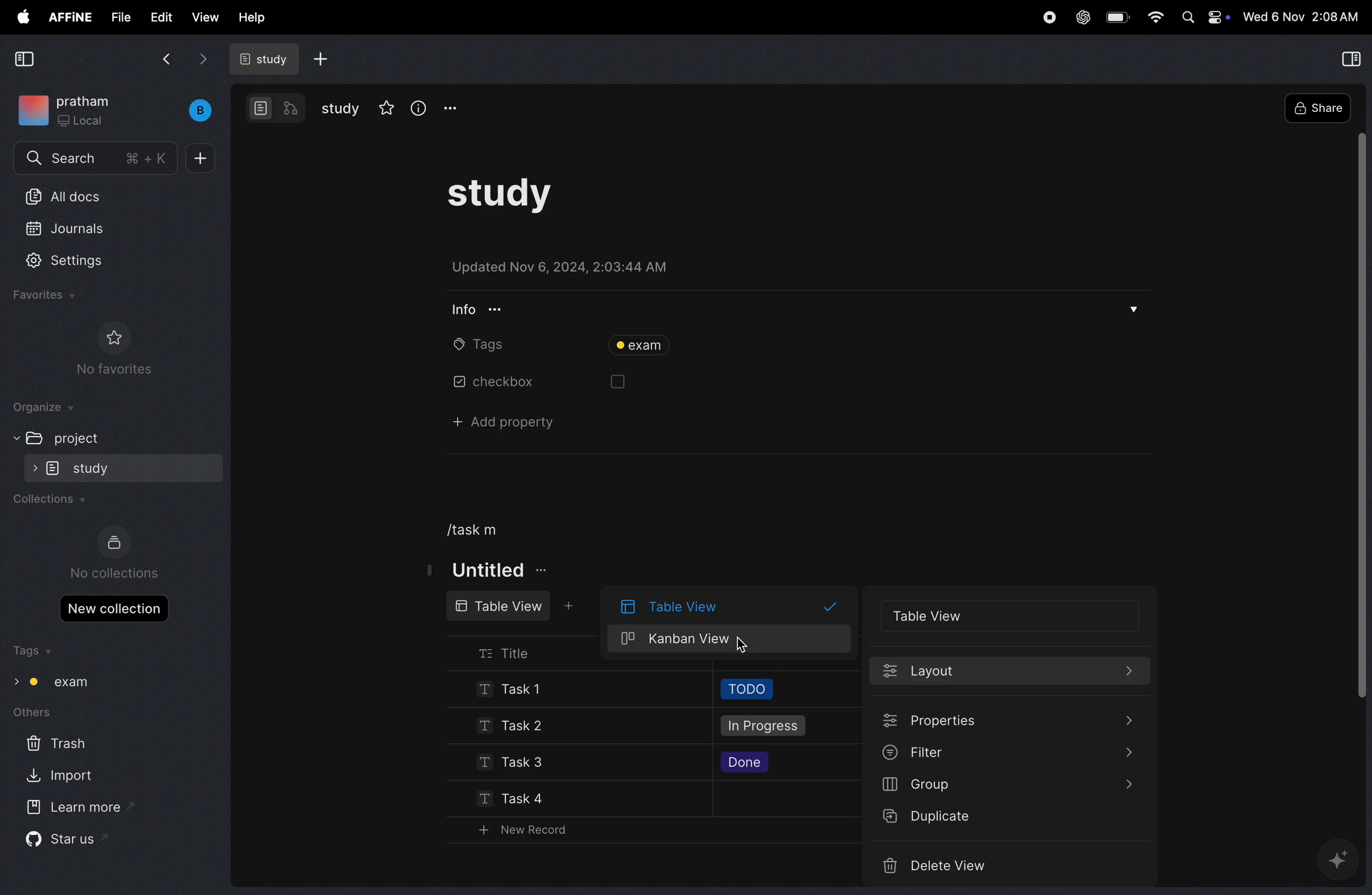  I want to click on all docs, so click(81, 196).